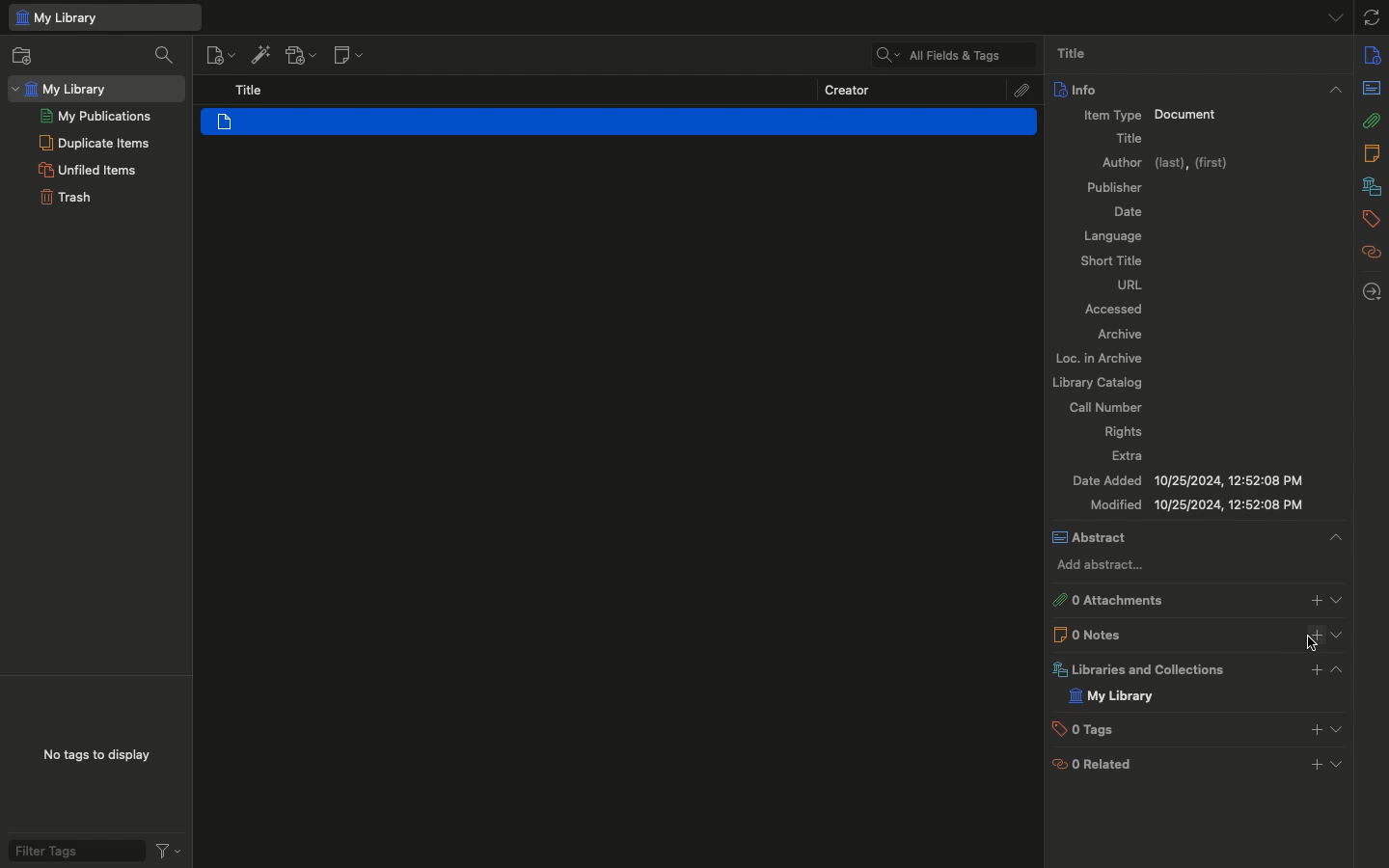 The image size is (1389, 868). What do you see at coordinates (1334, 537) in the screenshot?
I see `Hide` at bounding box center [1334, 537].